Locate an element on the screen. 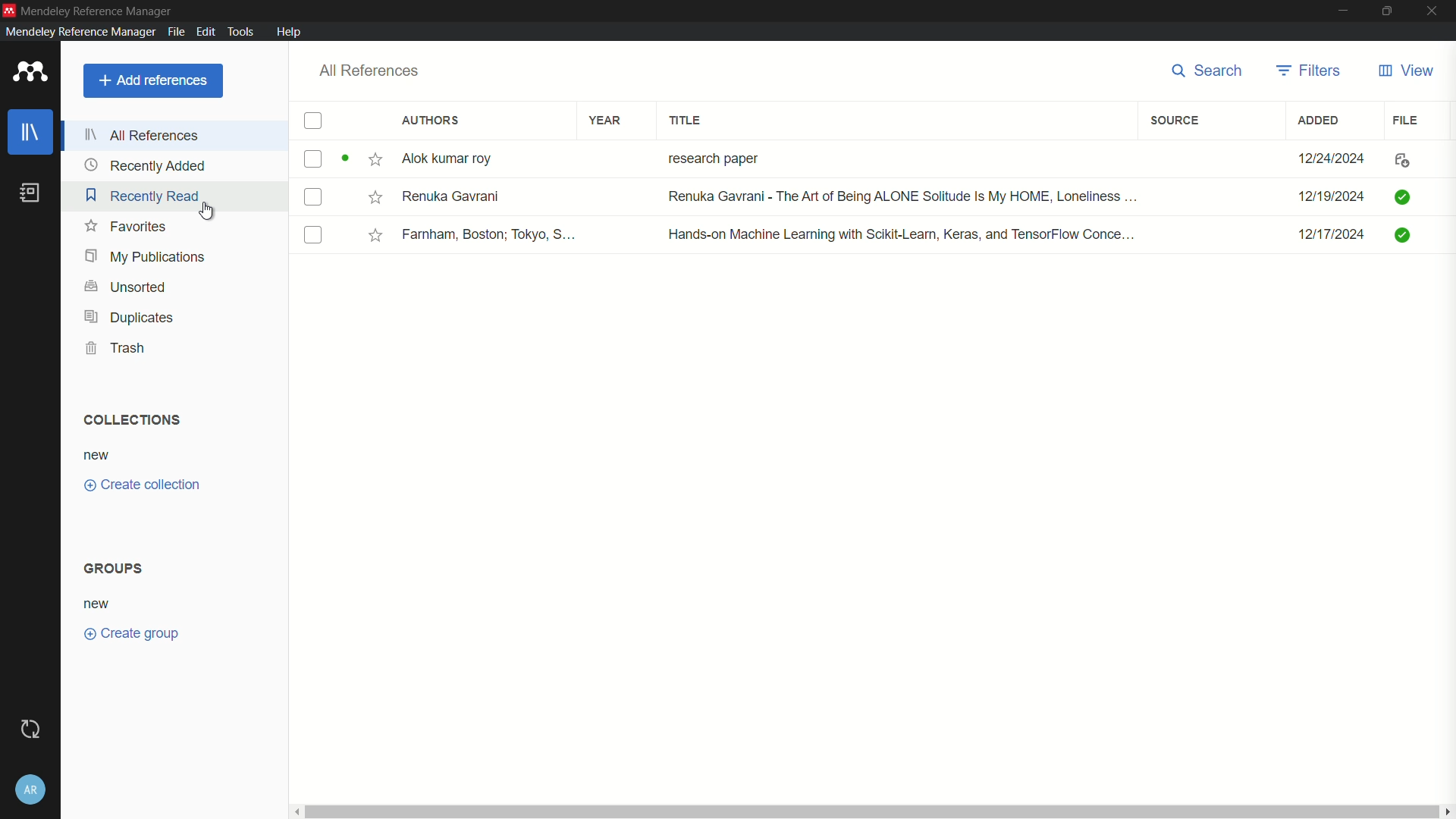  File uploaded is located at coordinates (1404, 158).